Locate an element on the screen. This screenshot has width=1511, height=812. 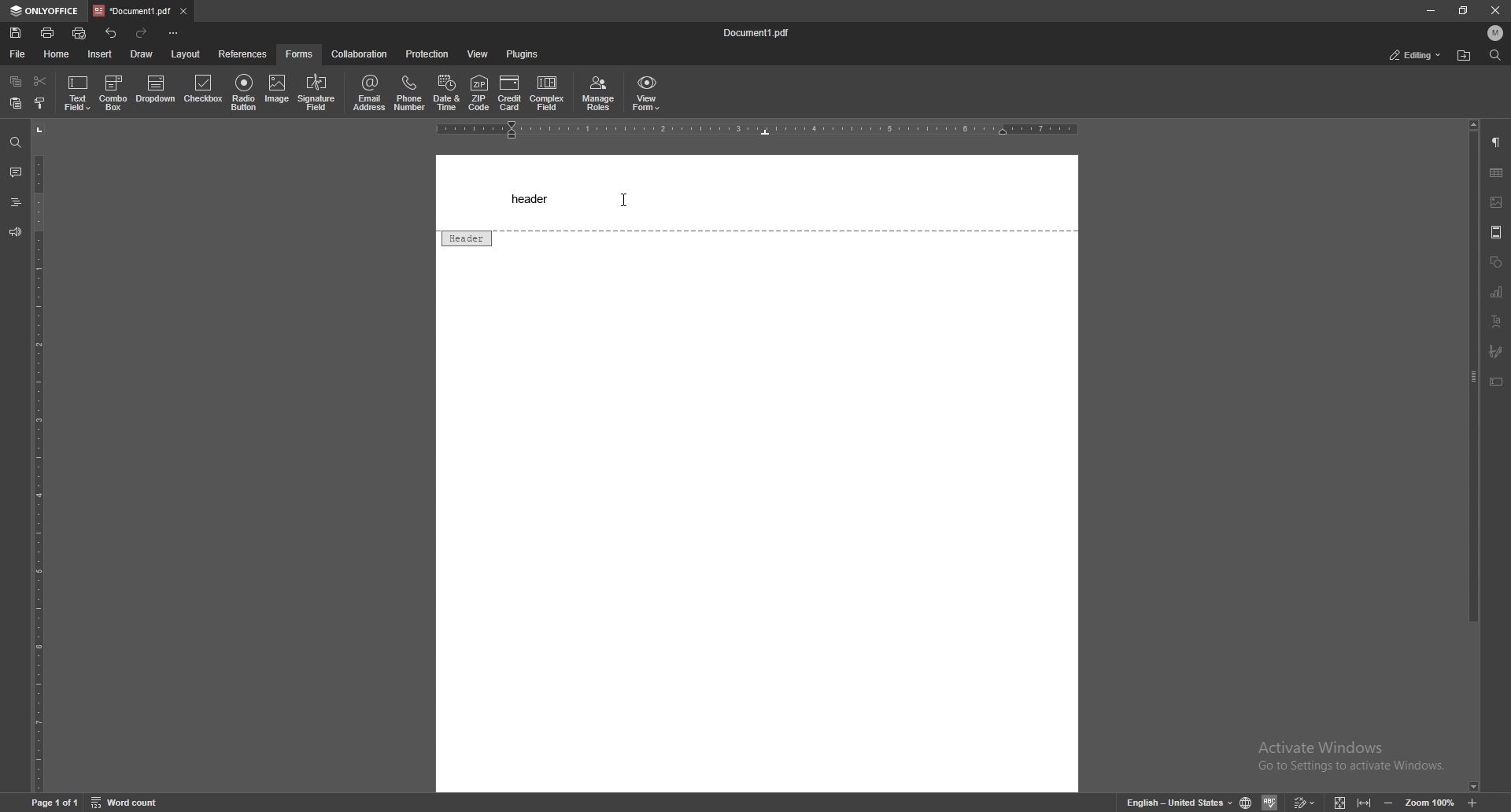
text art is located at coordinates (1498, 322).